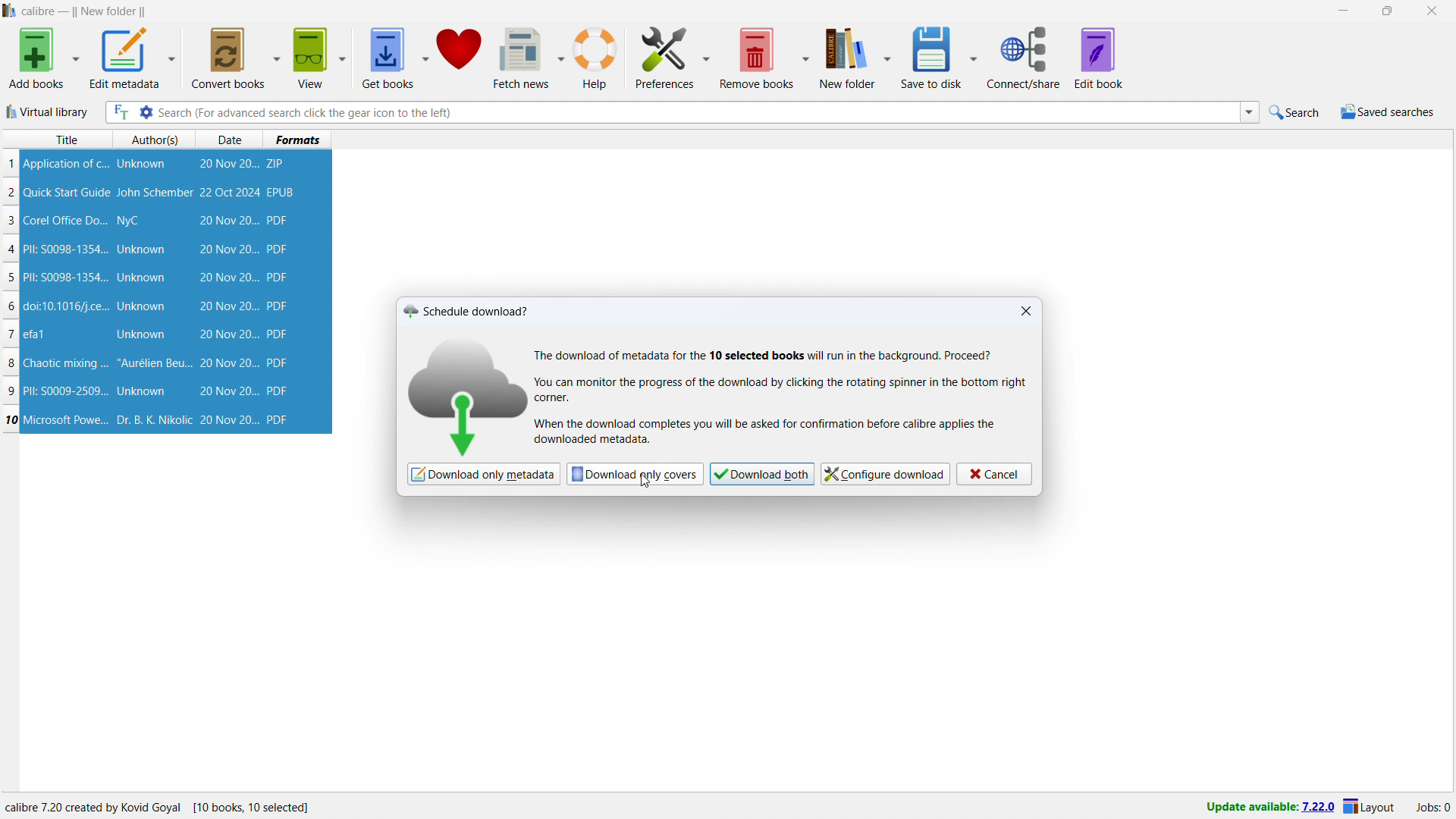 This screenshot has height=819, width=1456. Describe the element at coordinates (230, 58) in the screenshot. I see `convert books` at that location.